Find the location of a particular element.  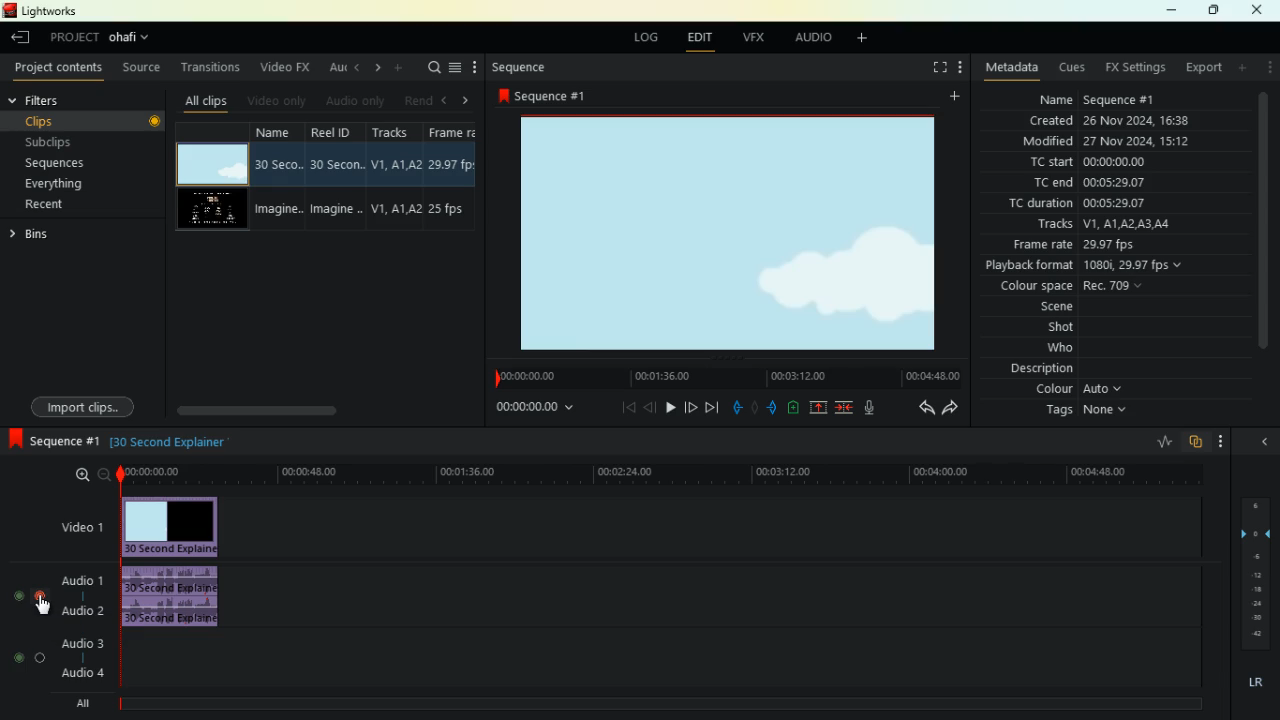

more is located at coordinates (472, 64).